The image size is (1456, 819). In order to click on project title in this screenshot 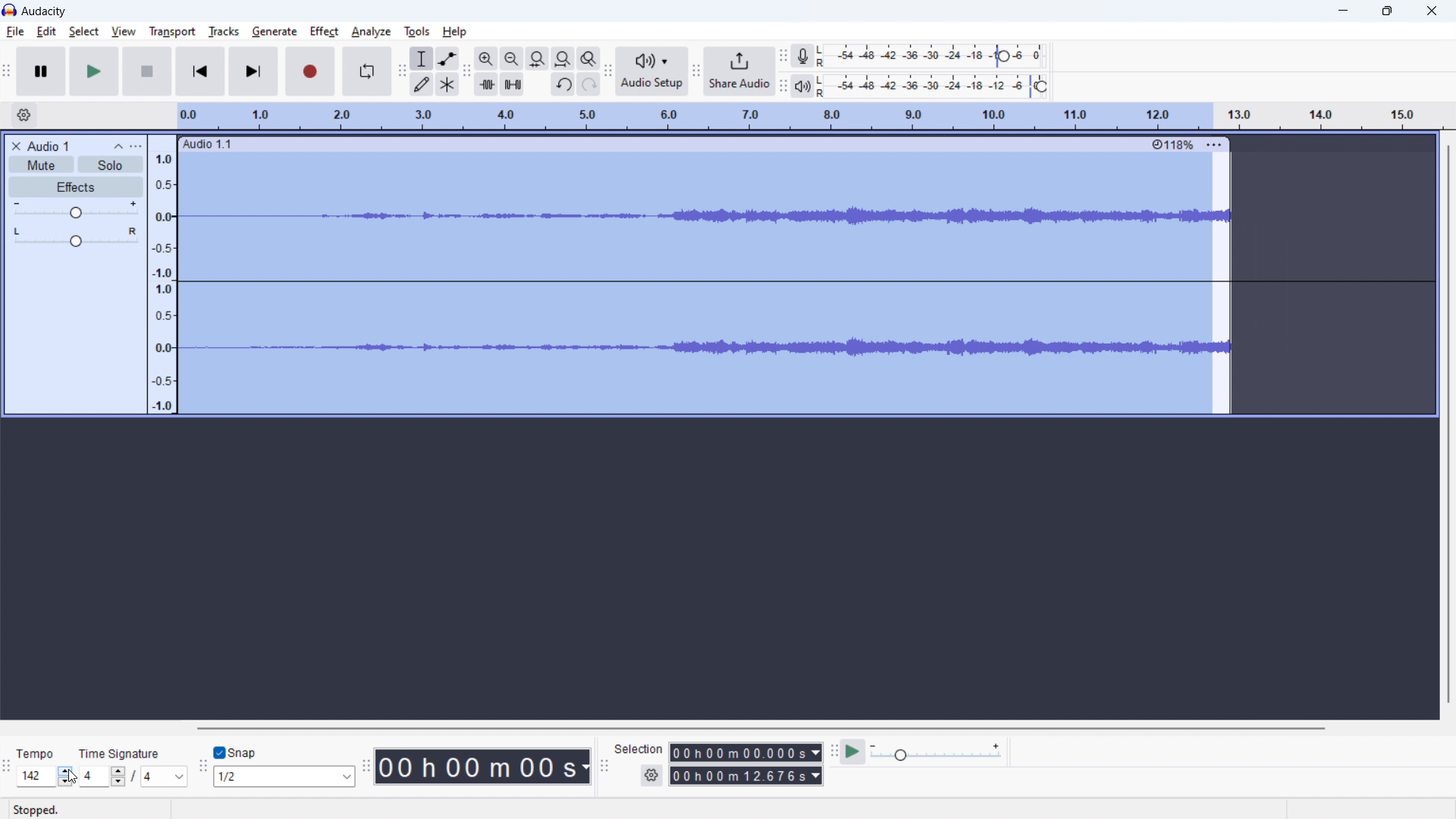, I will do `click(48, 145)`.